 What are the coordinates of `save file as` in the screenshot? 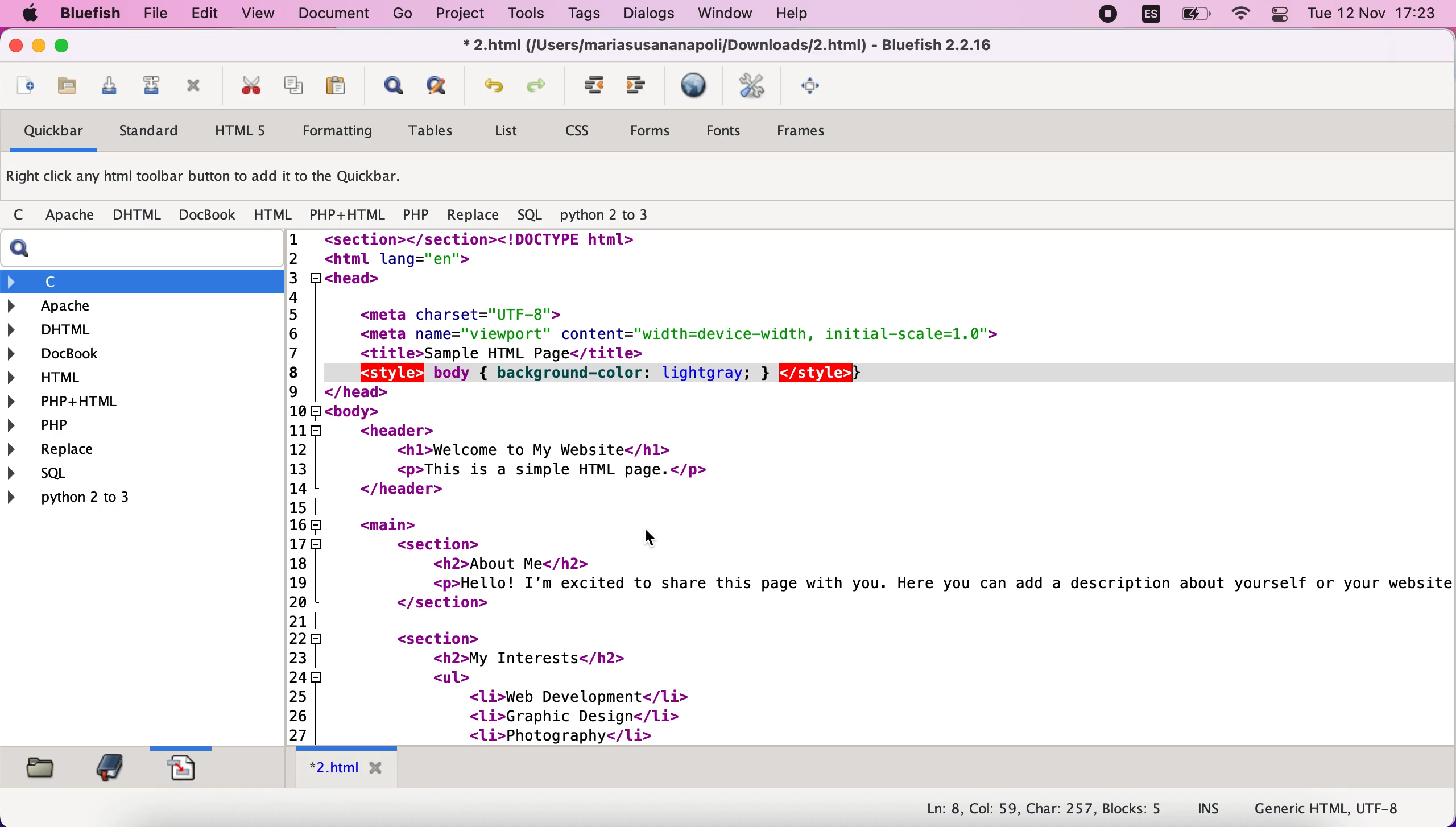 It's located at (154, 86).